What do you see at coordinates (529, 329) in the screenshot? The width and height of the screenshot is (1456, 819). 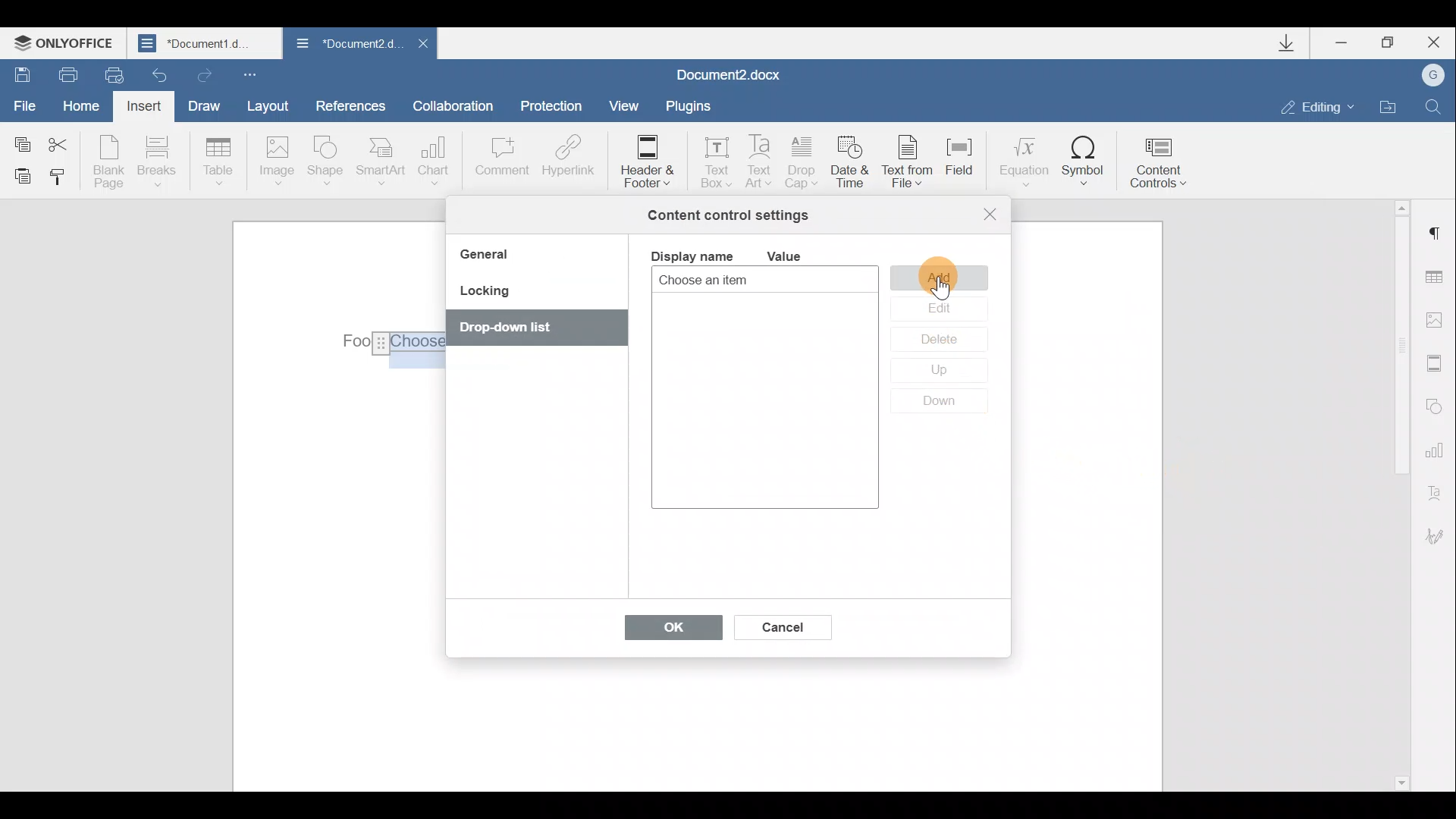 I see `Drop down list` at bounding box center [529, 329].